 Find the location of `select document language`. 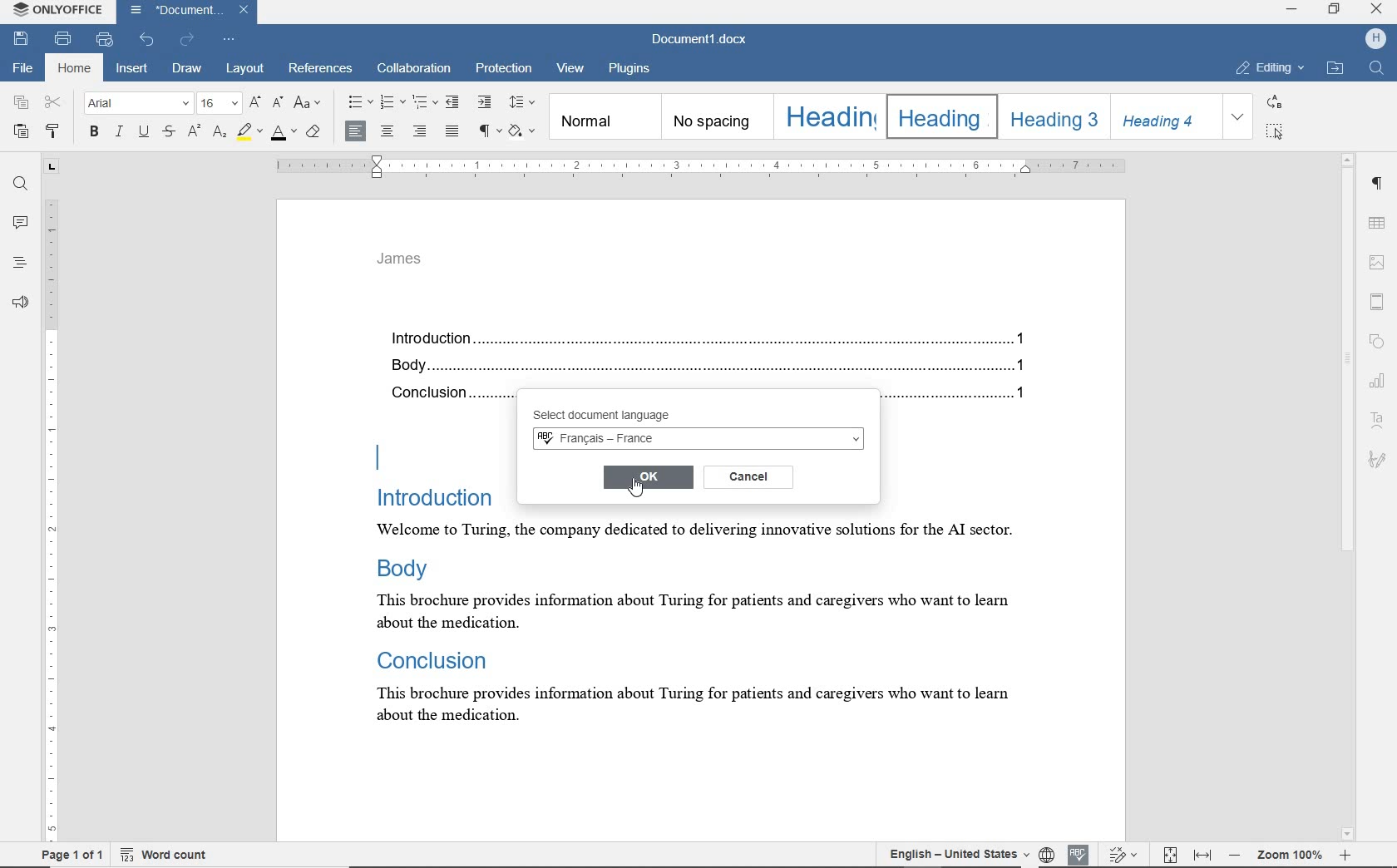

select document language is located at coordinates (625, 416).